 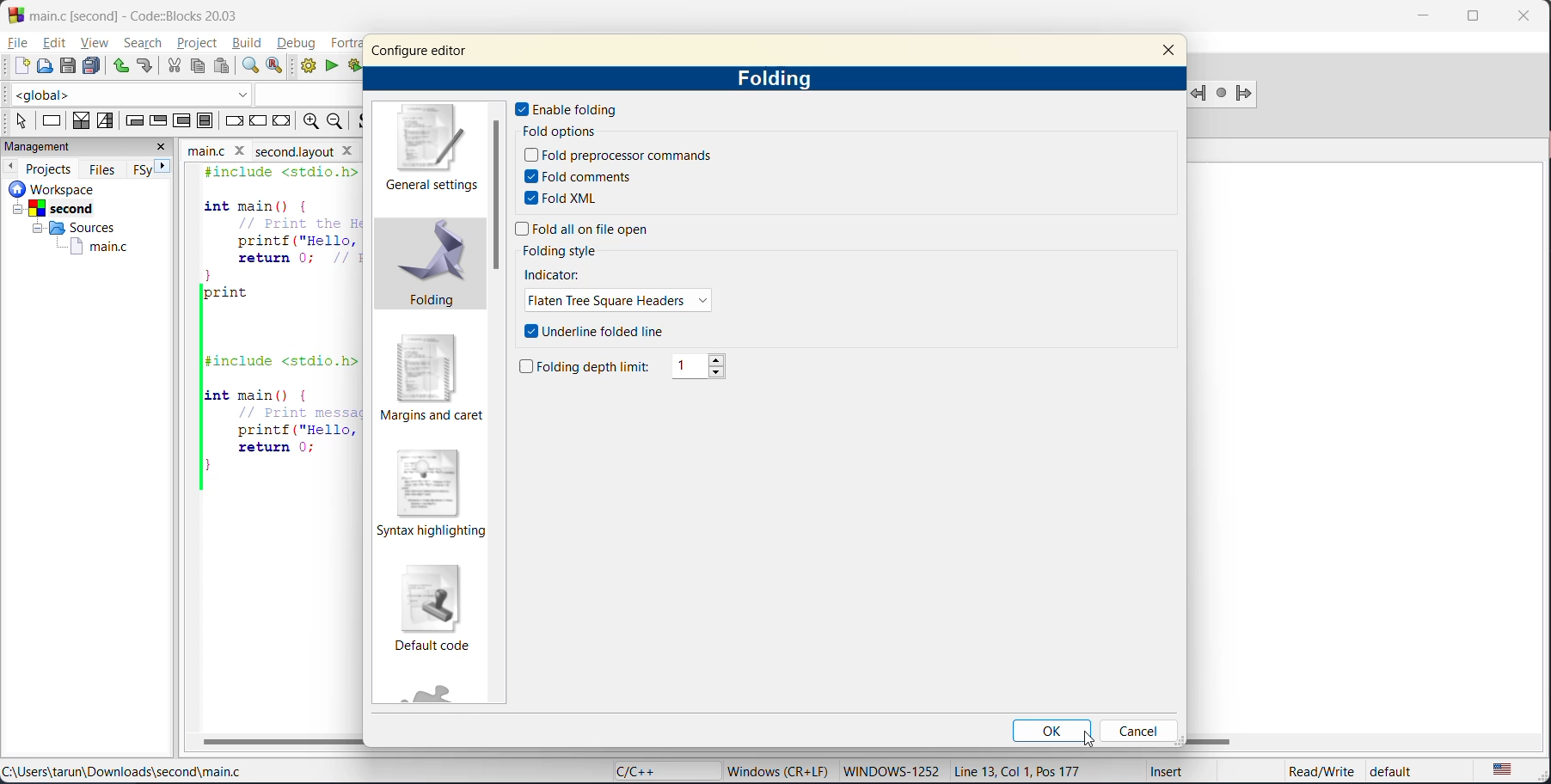 I want to click on jump forward, so click(x=1248, y=94).